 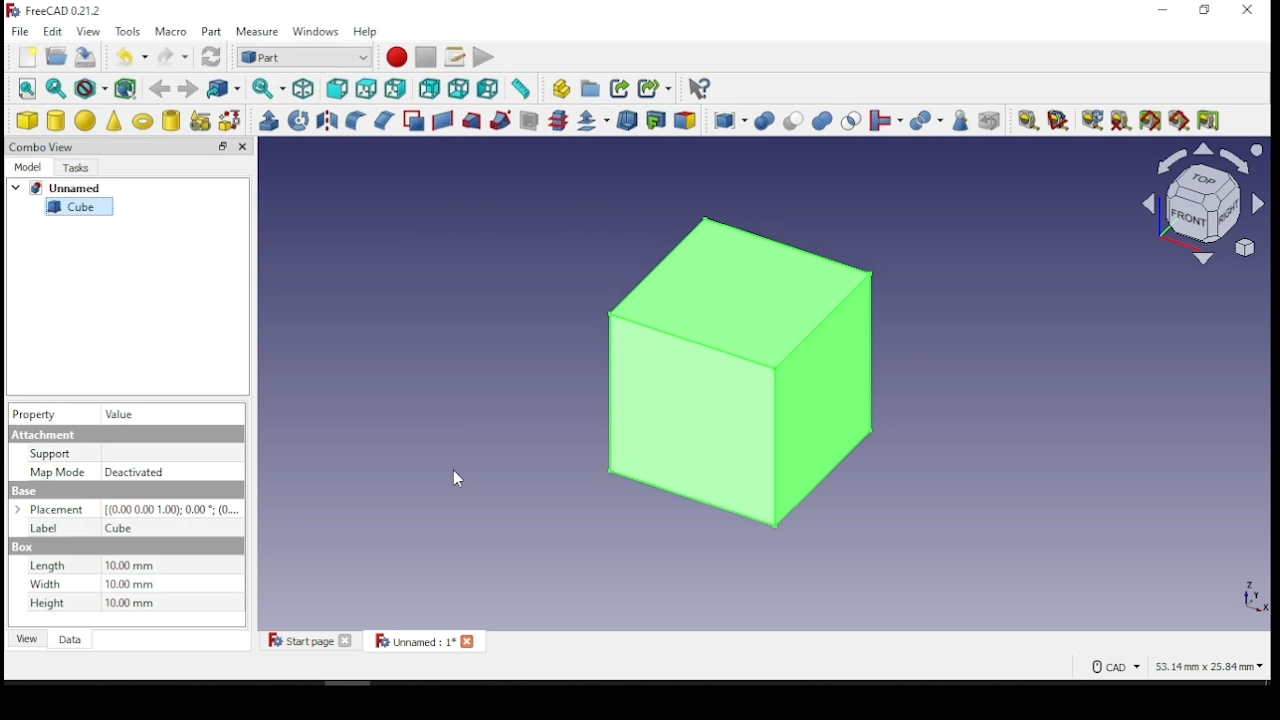 What do you see at coordinates (57, 56) in the screenshot?
I see `open` at bounding box center [57, 56].